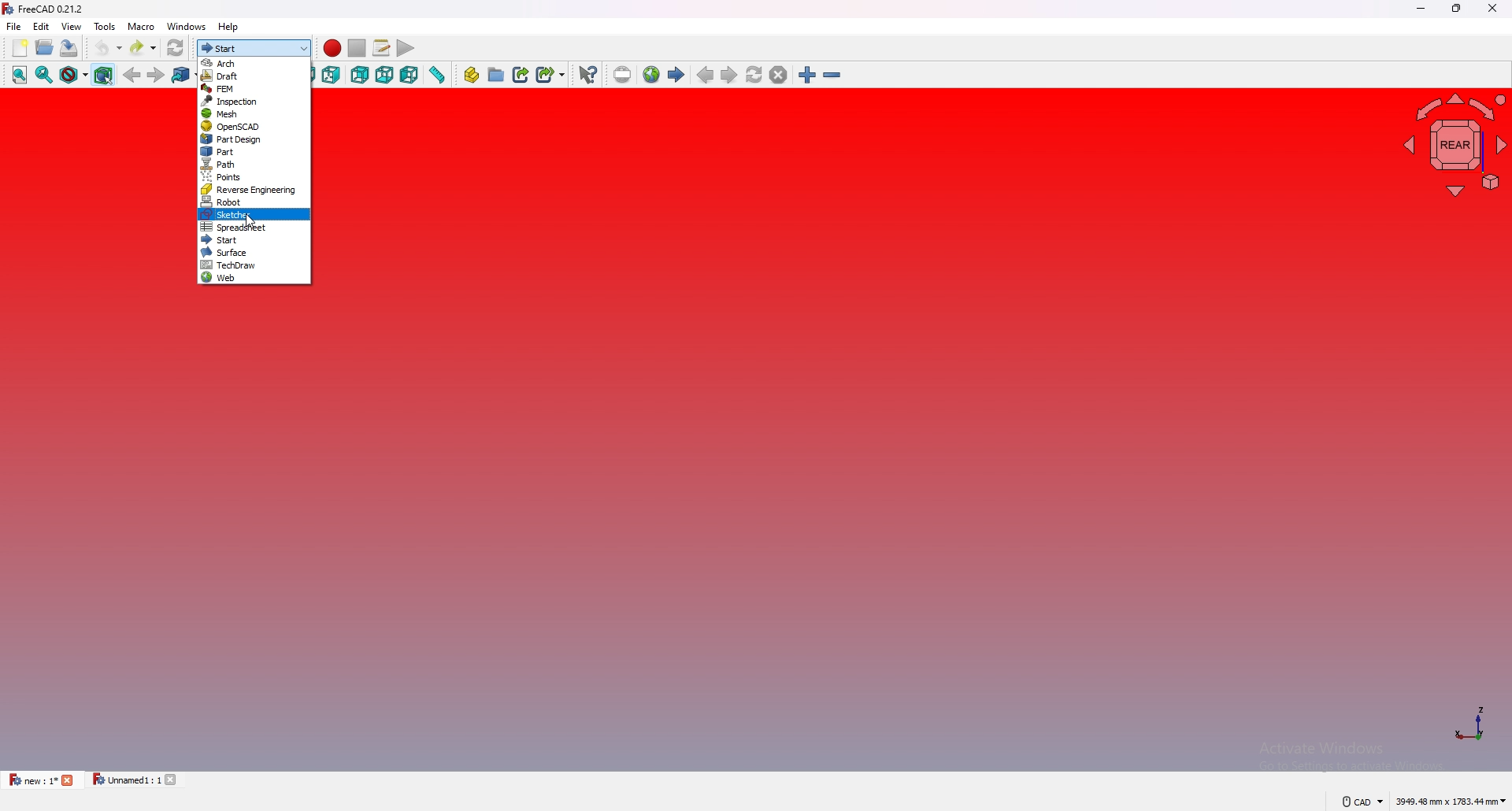  Describe the element at coordinates (1493, 8) in the screenshot. I see `close` at that location.